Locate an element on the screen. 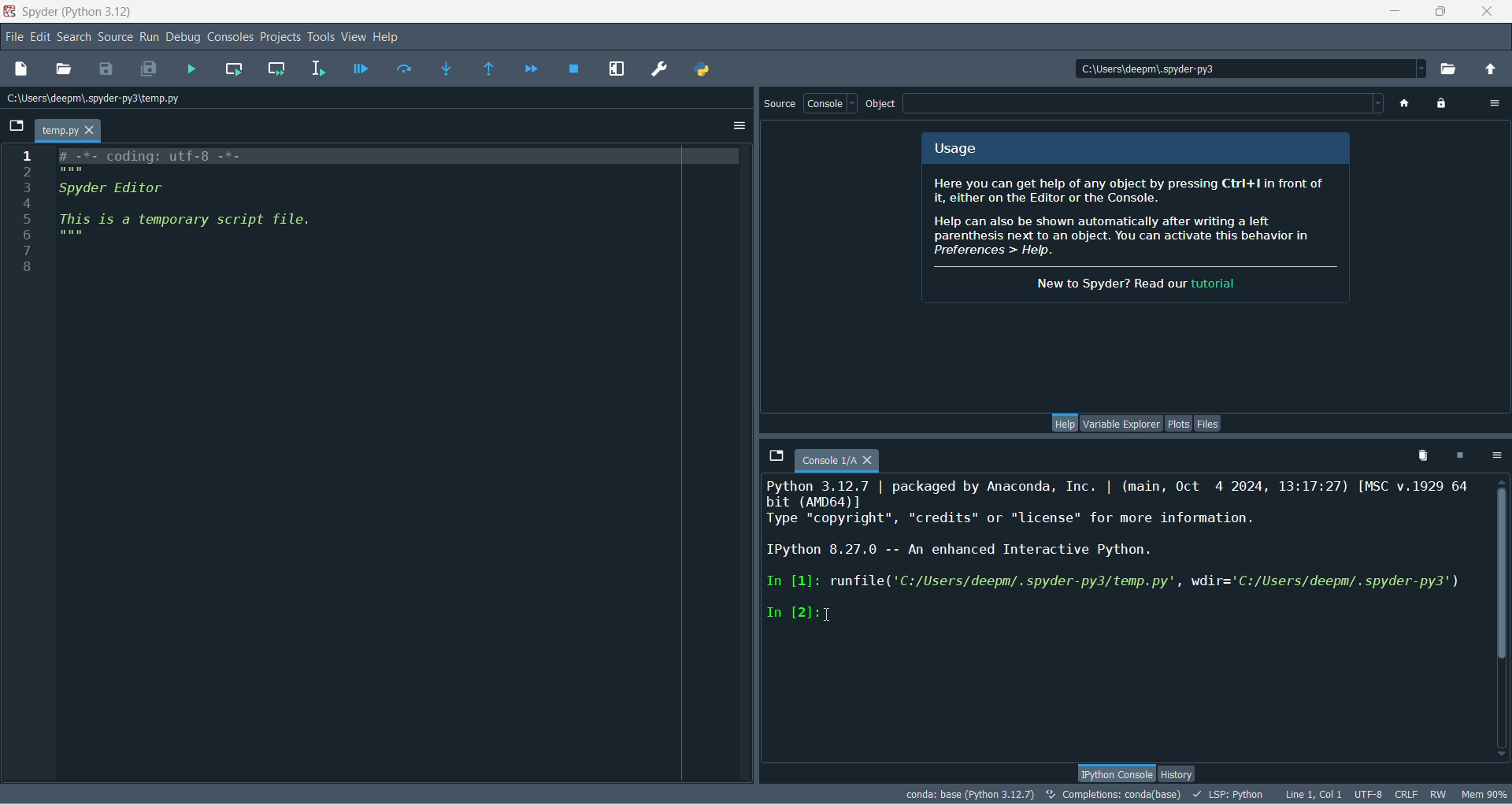  help is located at coordinates (388, 37).